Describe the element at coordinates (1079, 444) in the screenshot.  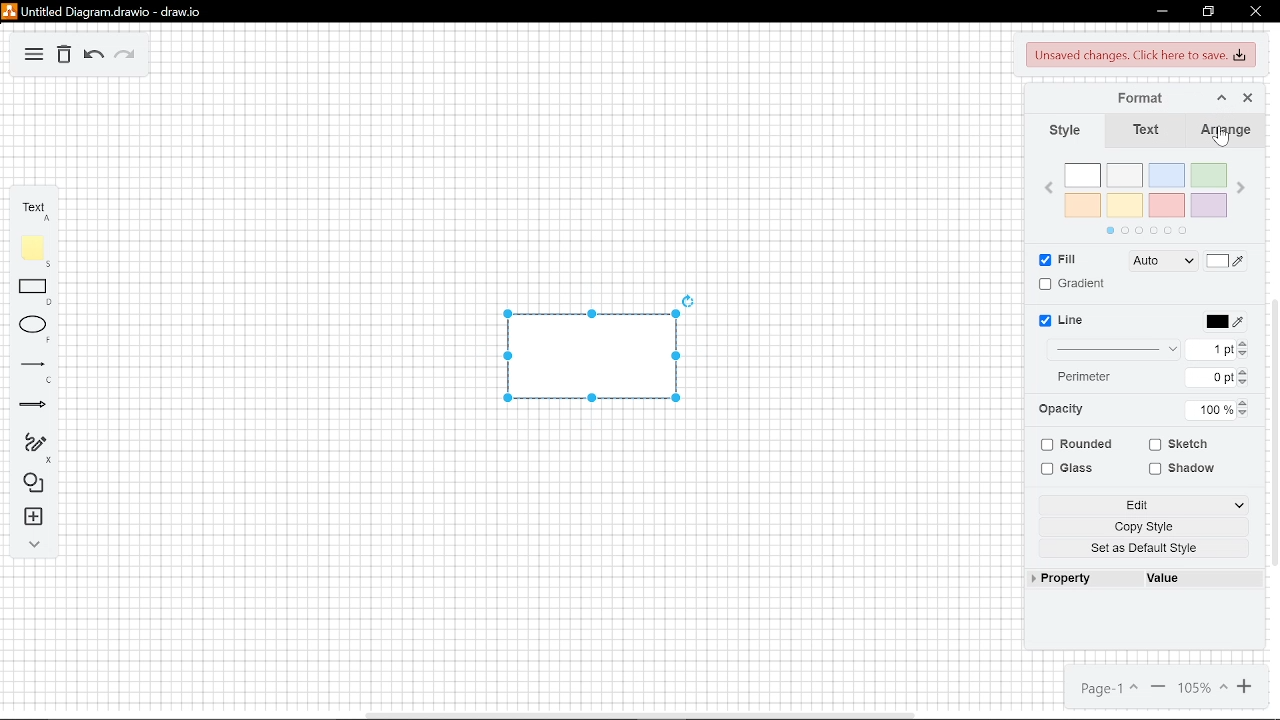
I see `rounded` at that location.